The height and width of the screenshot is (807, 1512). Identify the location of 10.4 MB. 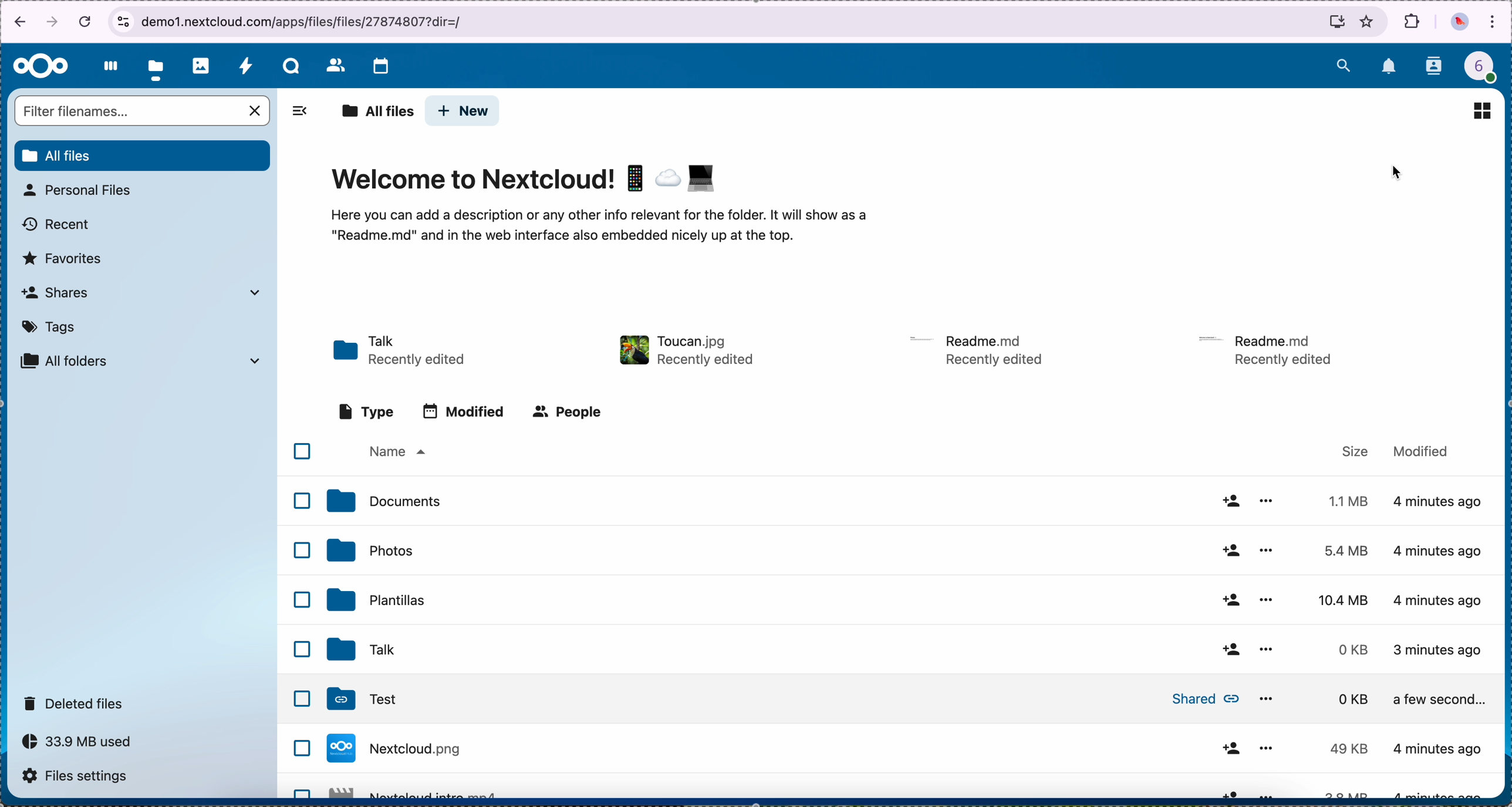
(1345, 601).